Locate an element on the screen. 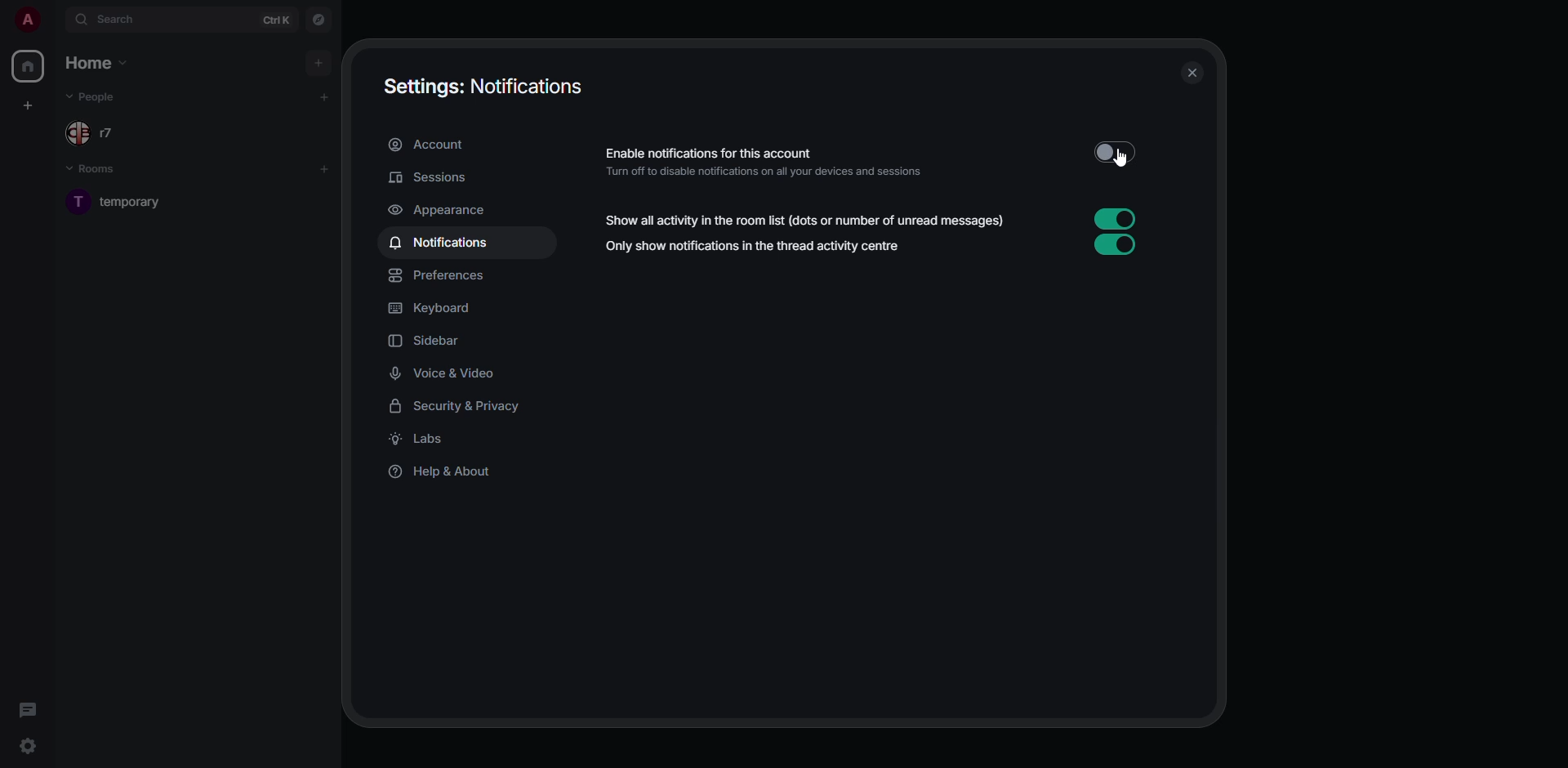  rooms is located at coordinates (95, 169).